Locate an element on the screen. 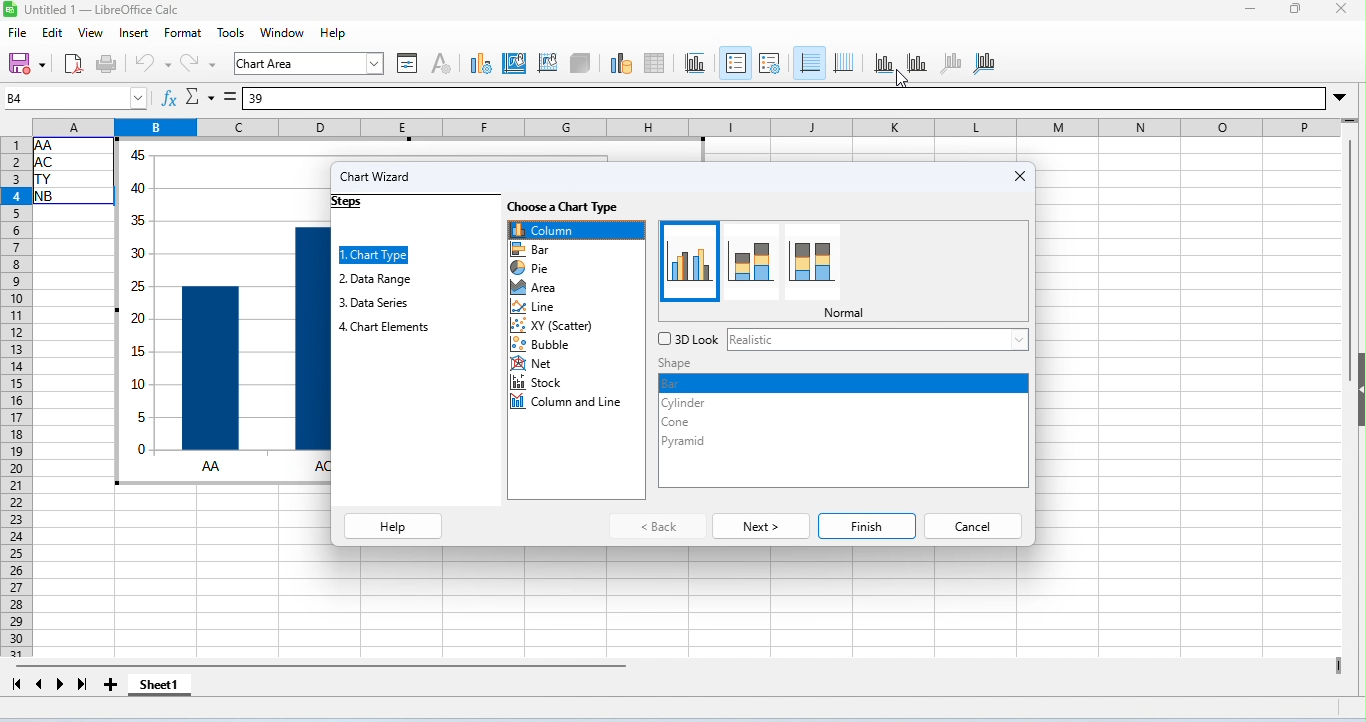 This screenshot has height=722, width=1366. back is located at coordinates (652, 528).